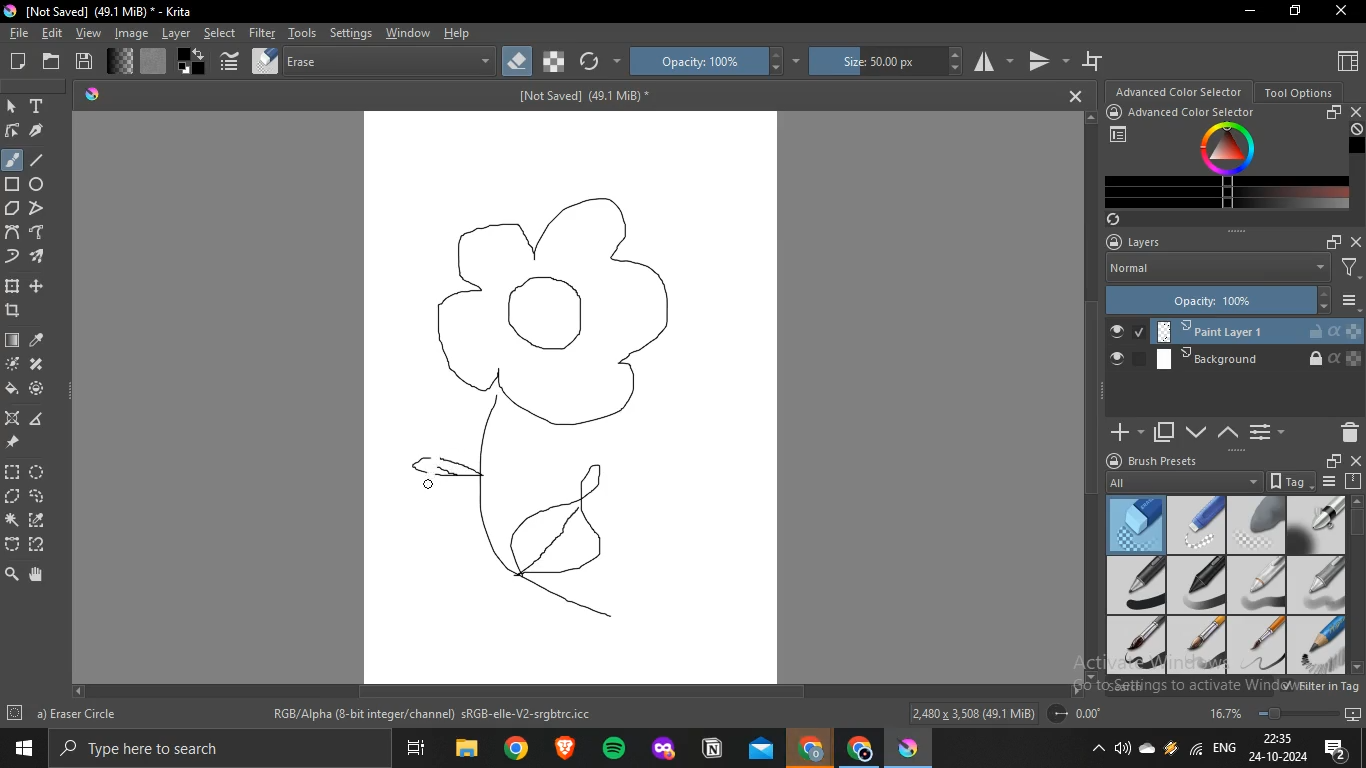 The height and width of the screenshot is (768, 1366). What do you see at coordinates (13, 131) in the screenshot?
I see `edit shapes tool` at bounding box center [13, 131].